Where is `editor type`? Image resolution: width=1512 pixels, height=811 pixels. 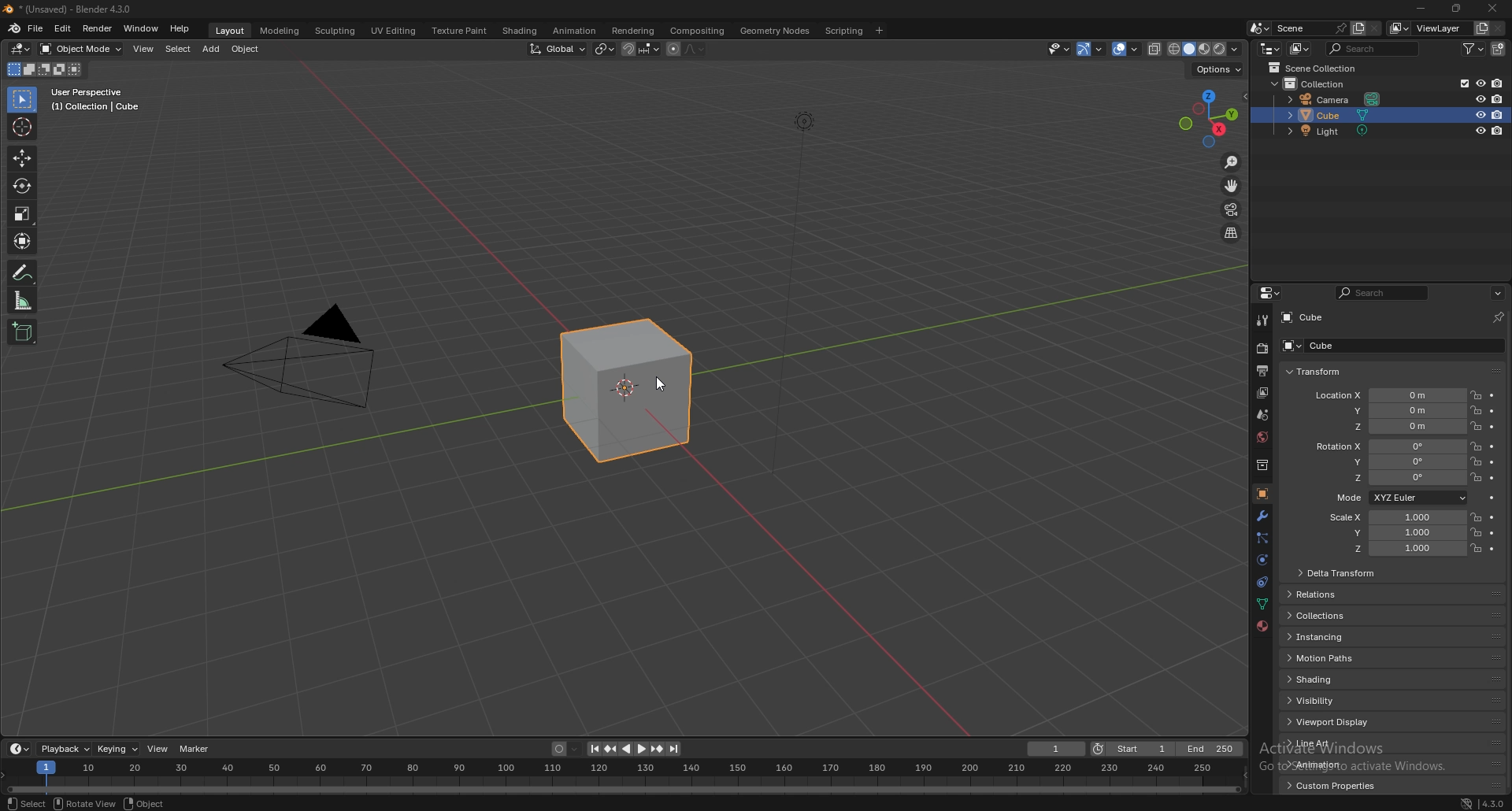 editor type is located at coordinates (19, 749).